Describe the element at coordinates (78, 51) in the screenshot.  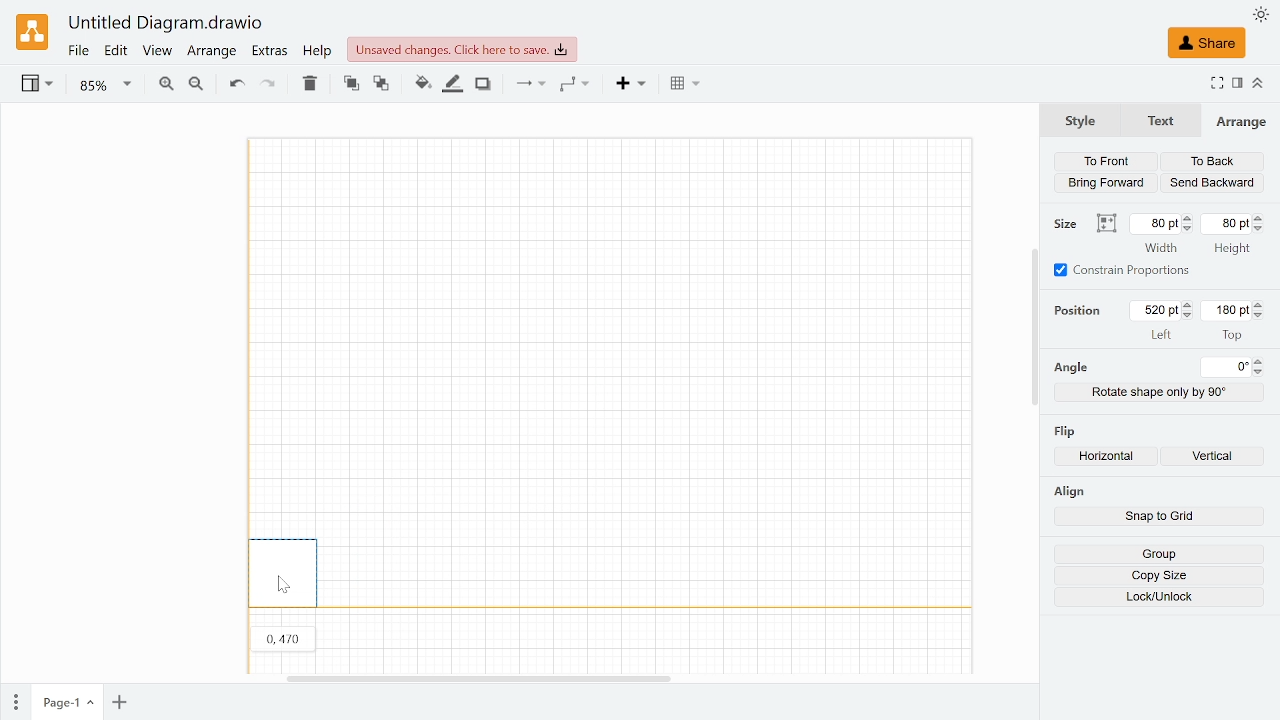
I see `File` at that location.